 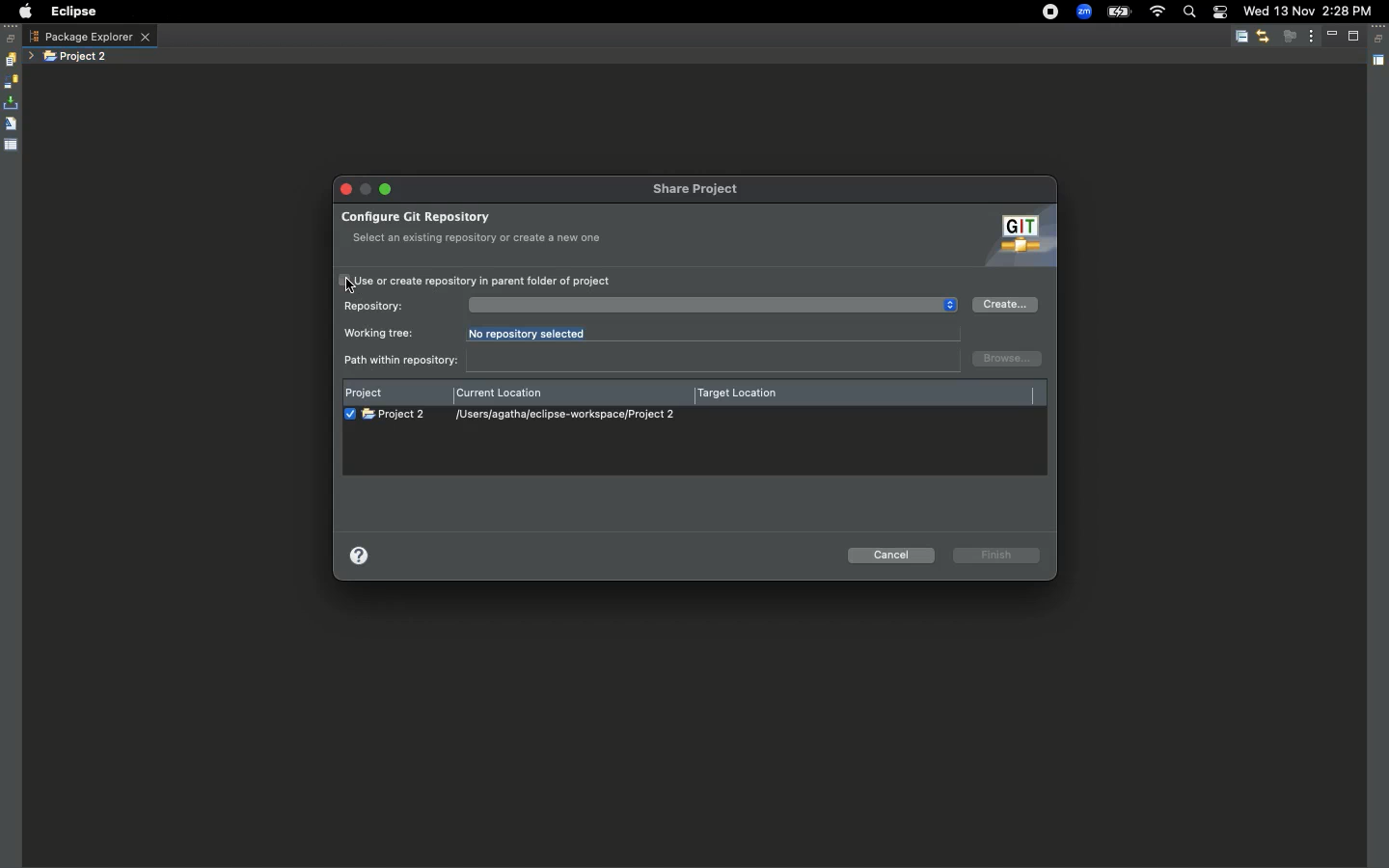 What do you see at coordinates (12, 39) in the screenshot?
I see `Restore` at bounding box center [12, 39].